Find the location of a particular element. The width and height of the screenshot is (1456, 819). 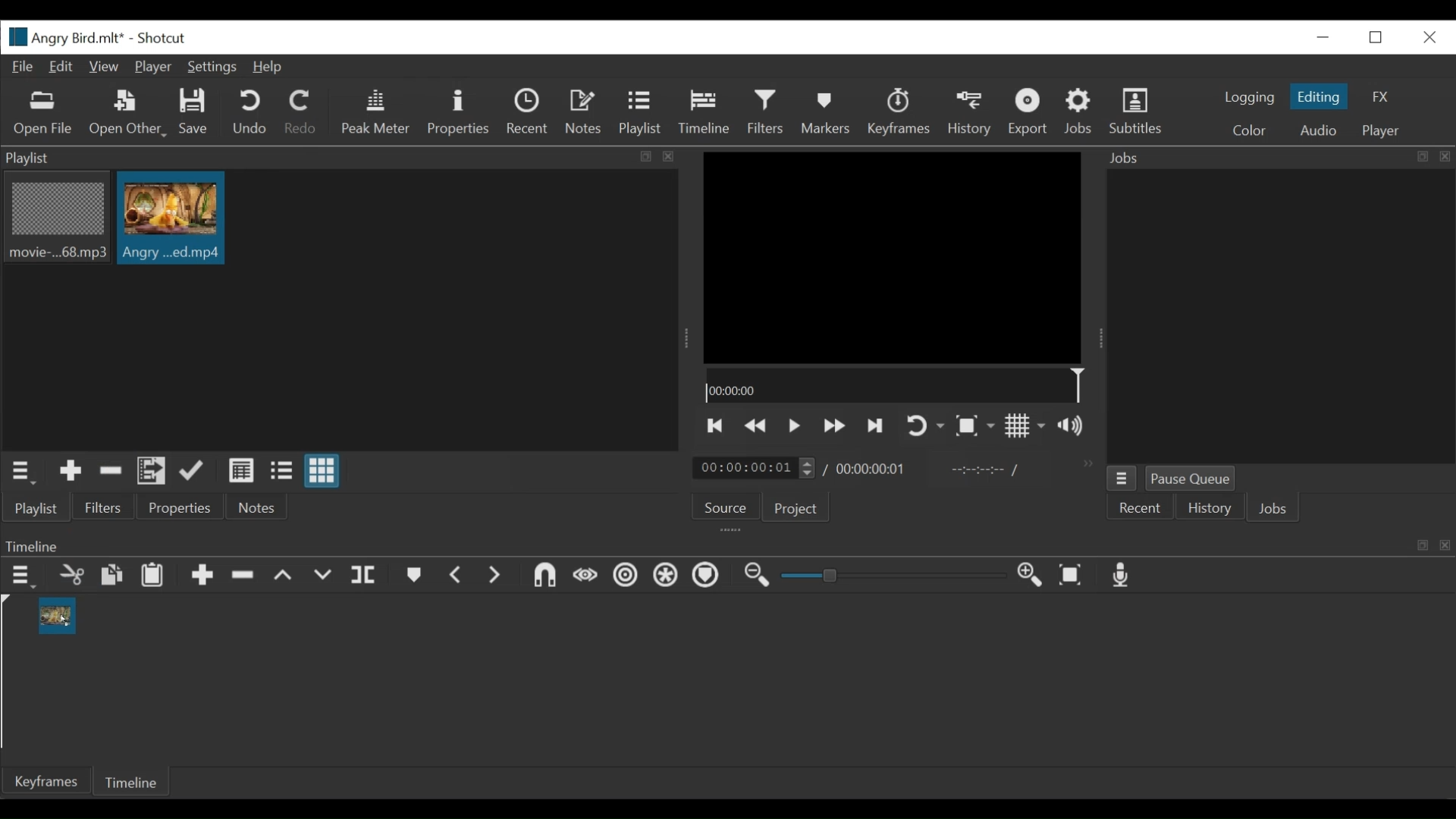

Jobs Panel is located at coordinates (1280, 318).